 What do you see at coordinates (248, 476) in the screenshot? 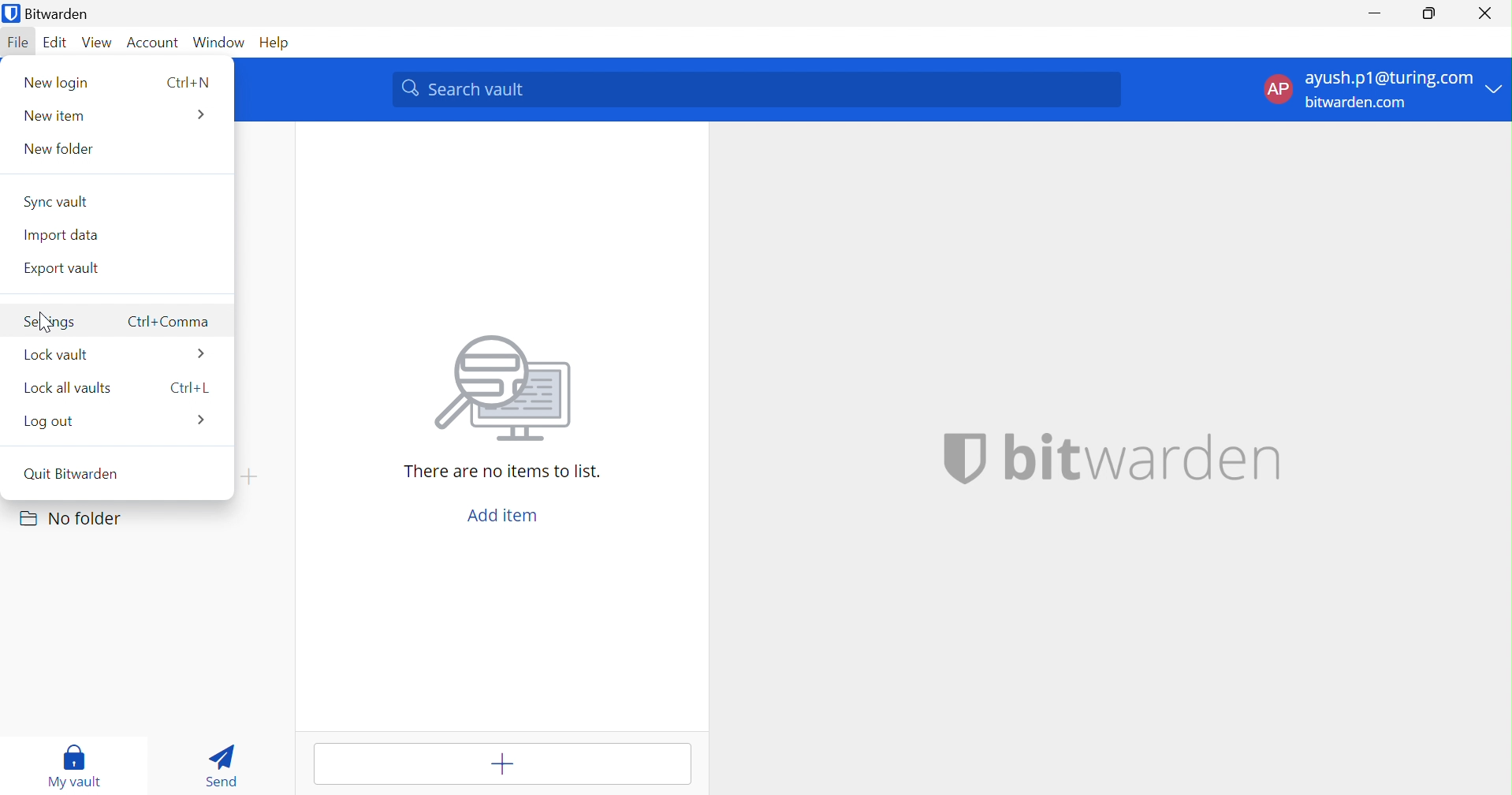
I see `create folder` at bounding box center [248, 476].